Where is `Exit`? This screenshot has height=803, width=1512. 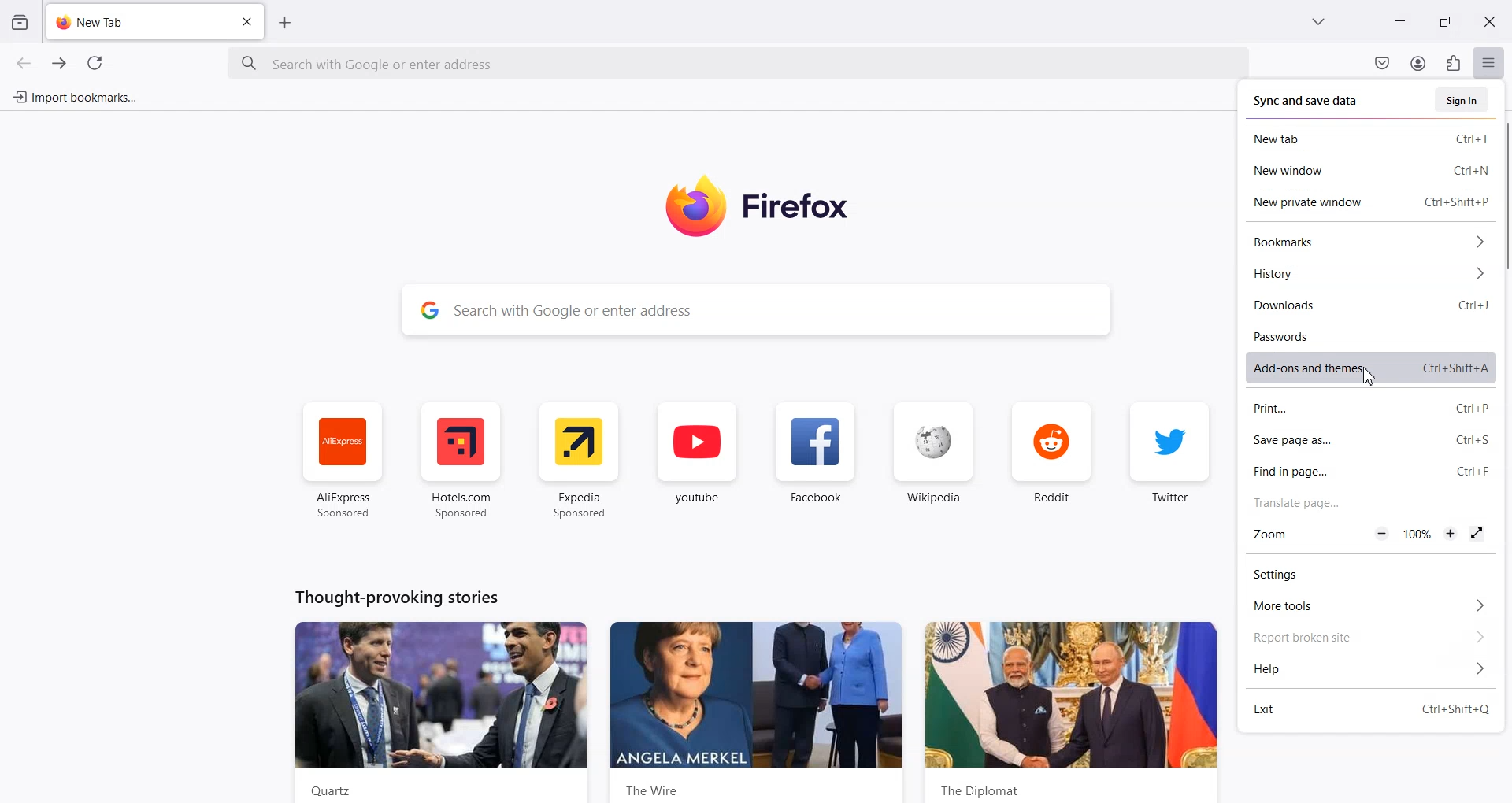 Exit is located at coordinates (1369, 706).